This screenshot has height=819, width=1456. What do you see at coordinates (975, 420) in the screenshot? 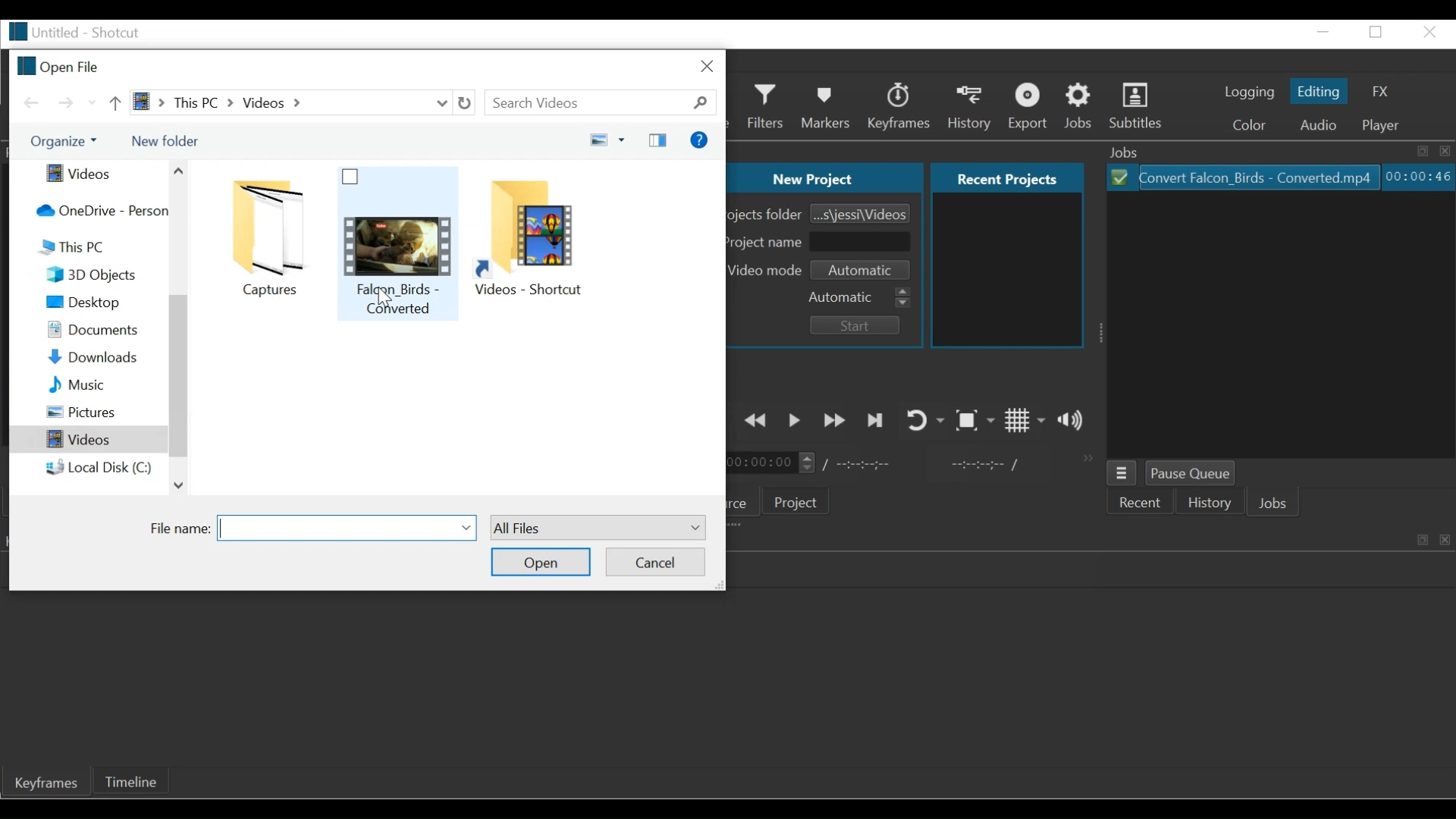
I see `Toggle Zoom` at bounding box center [975, 420].